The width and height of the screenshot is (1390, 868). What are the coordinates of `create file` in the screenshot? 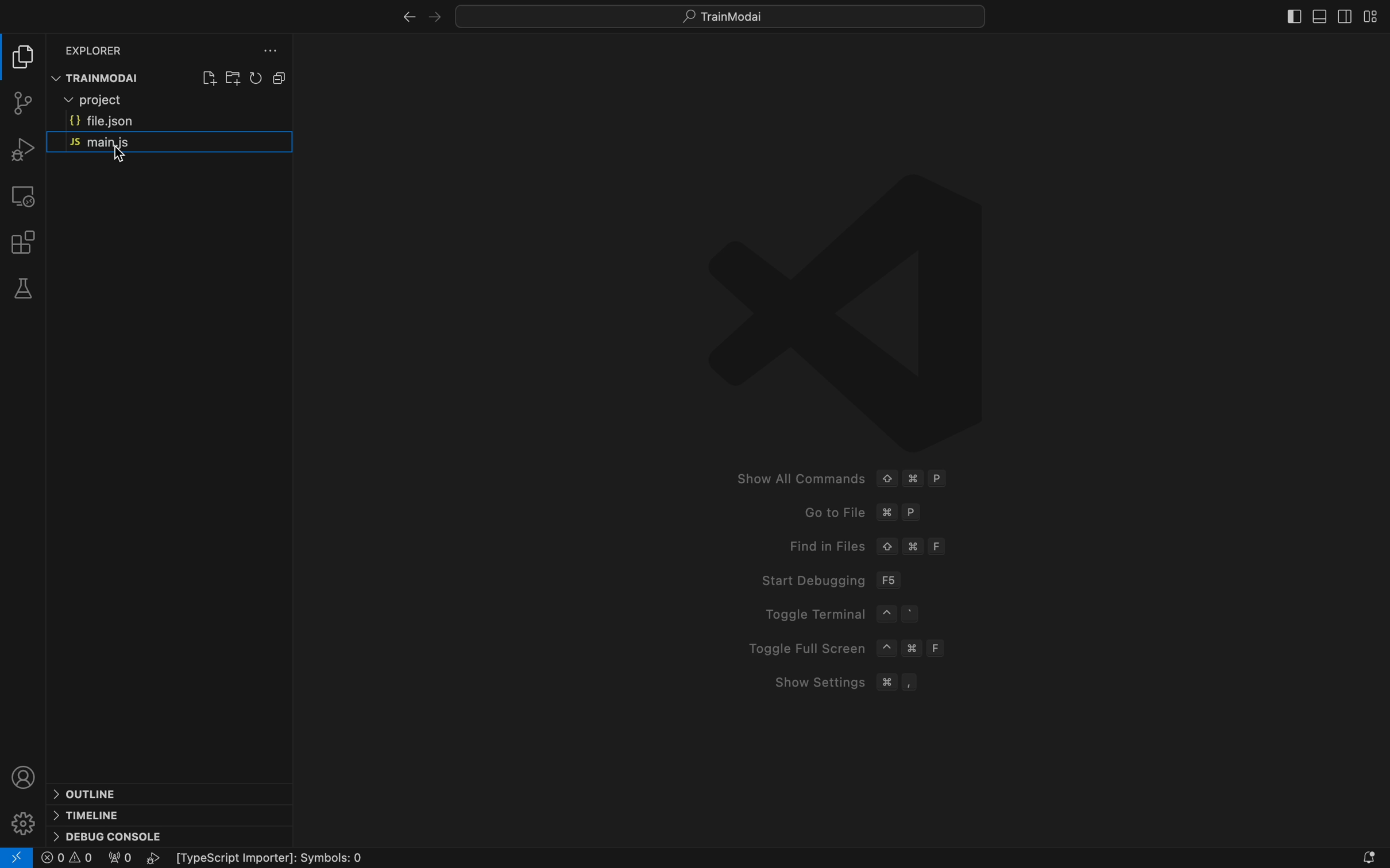 It's located at (208, 79).